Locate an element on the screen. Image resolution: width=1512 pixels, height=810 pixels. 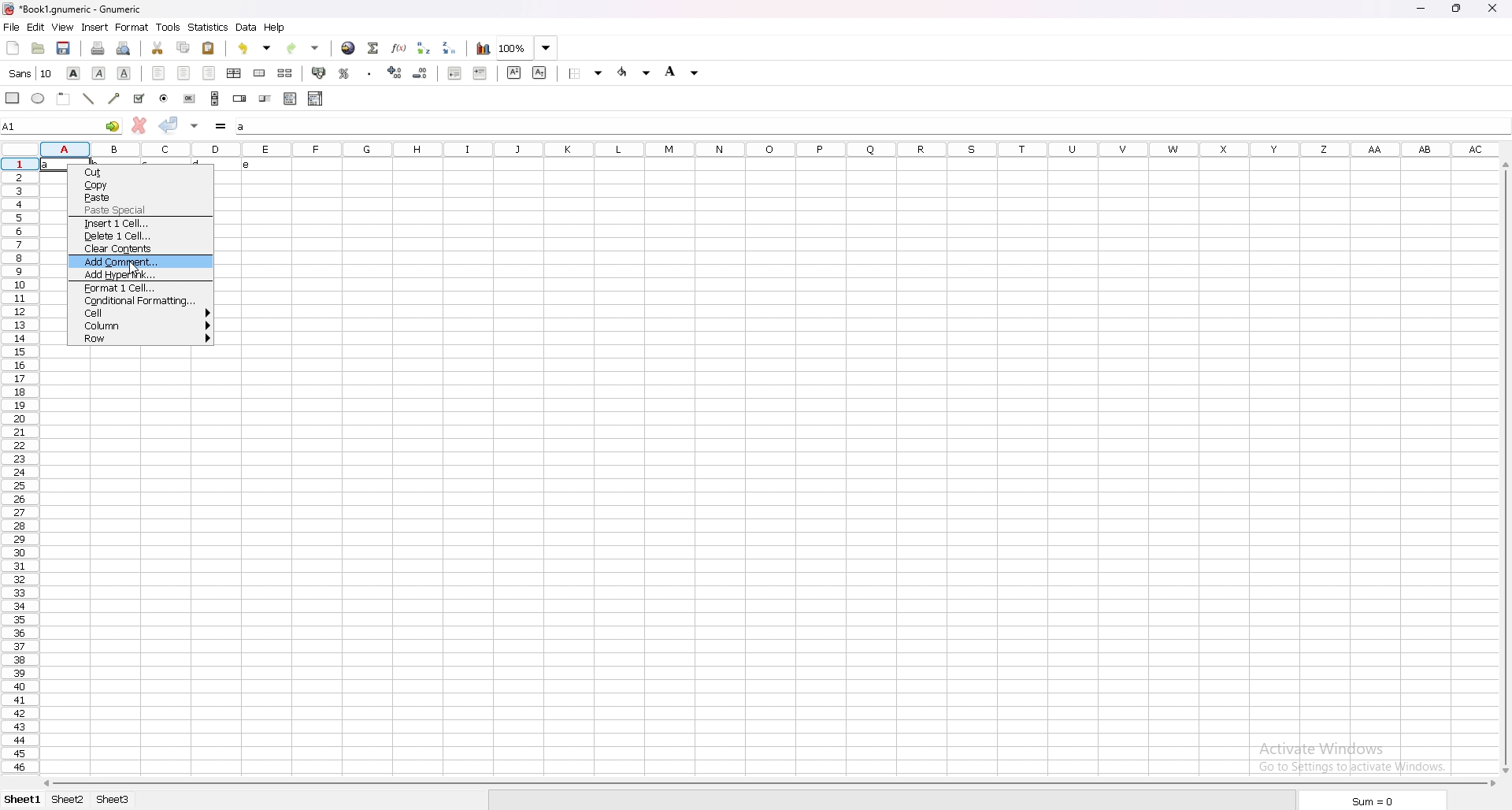
data is located at coordinates (248, 27).